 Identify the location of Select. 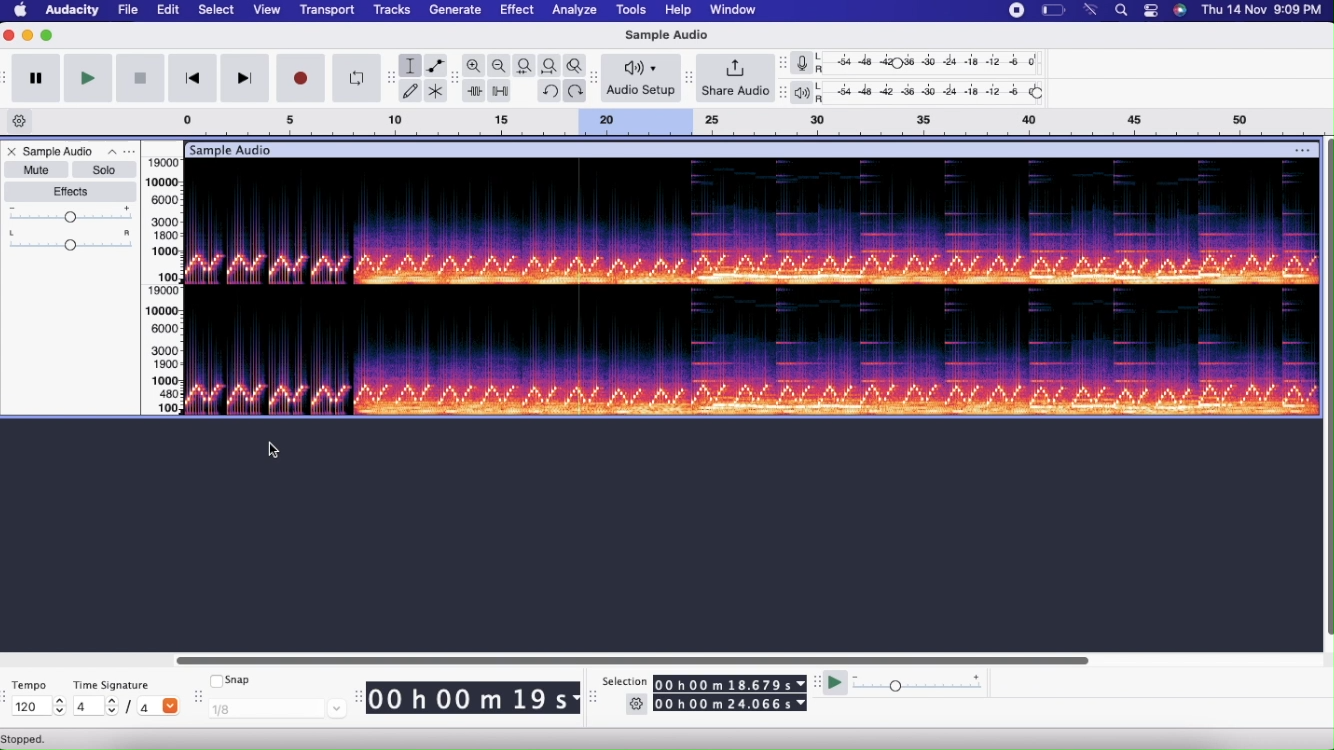
(219, 10).